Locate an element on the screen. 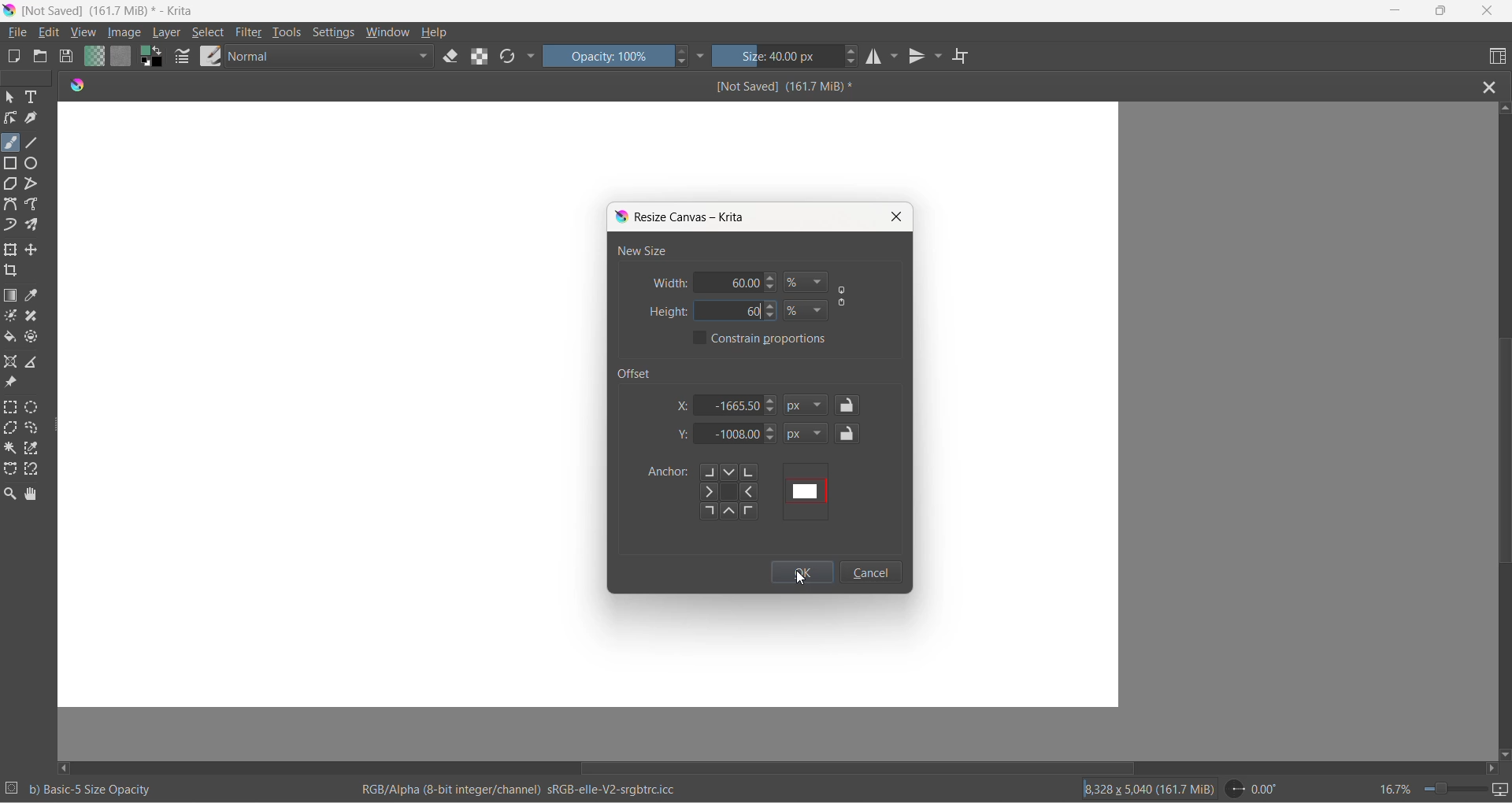 This screenshot has width=1512, height=803. slideshow is located at coordinates (1502, 790).